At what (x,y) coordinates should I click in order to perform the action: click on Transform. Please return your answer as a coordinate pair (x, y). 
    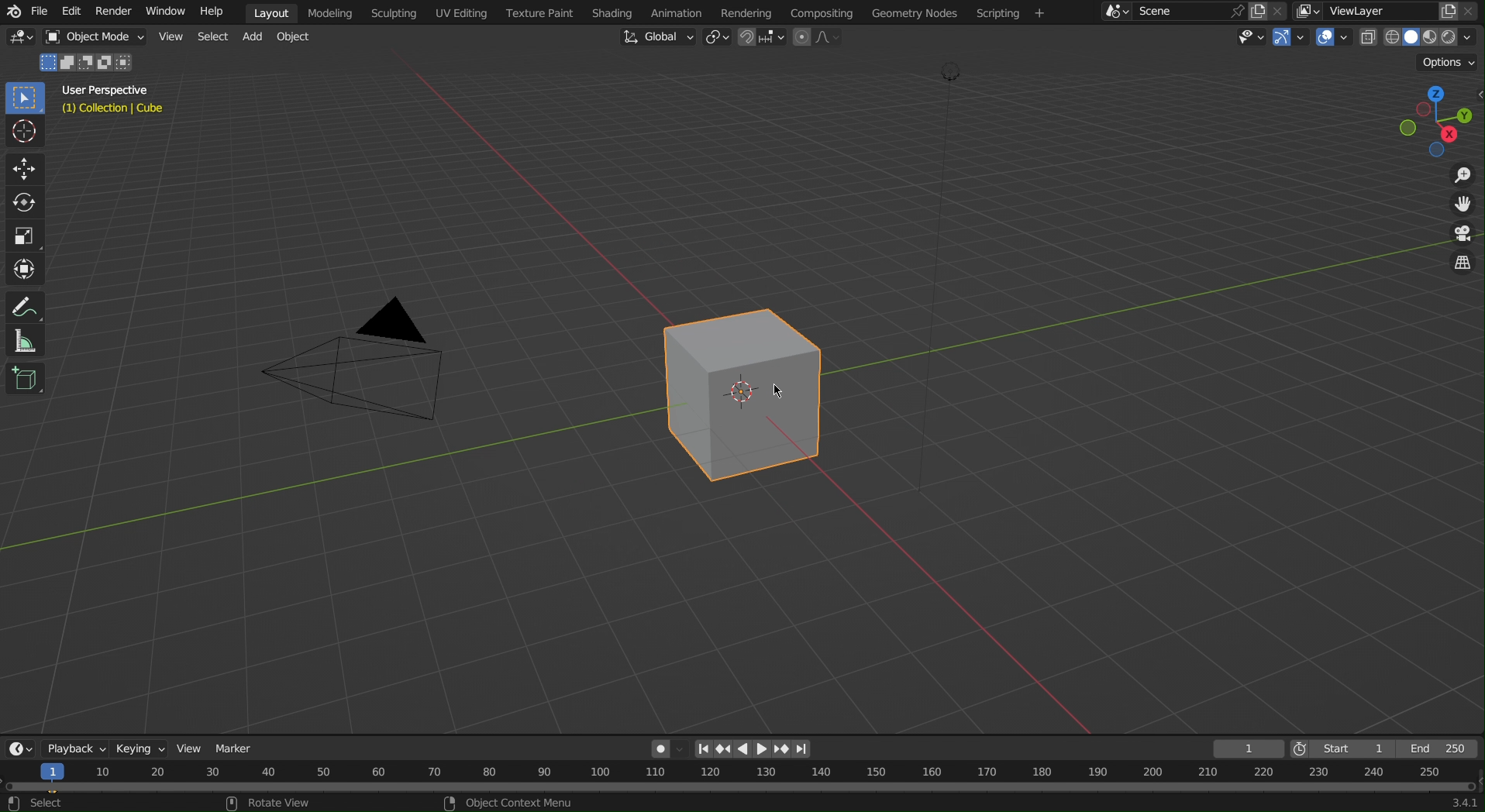
    Looking at the image, I should click on (25, 268).